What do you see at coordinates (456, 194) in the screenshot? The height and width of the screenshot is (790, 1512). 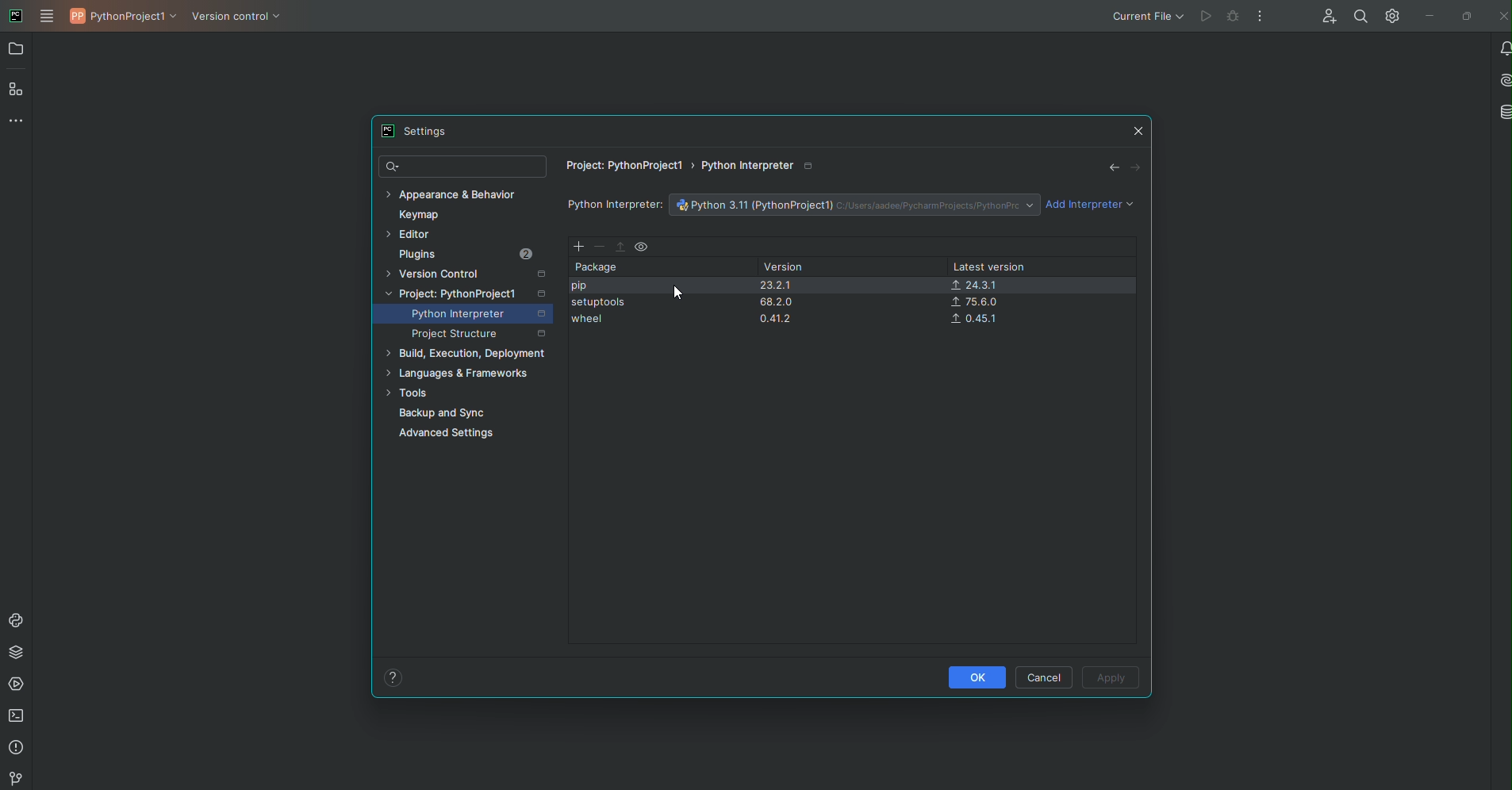 I see `Appearance and behavior` at bounding box center [456, 194].